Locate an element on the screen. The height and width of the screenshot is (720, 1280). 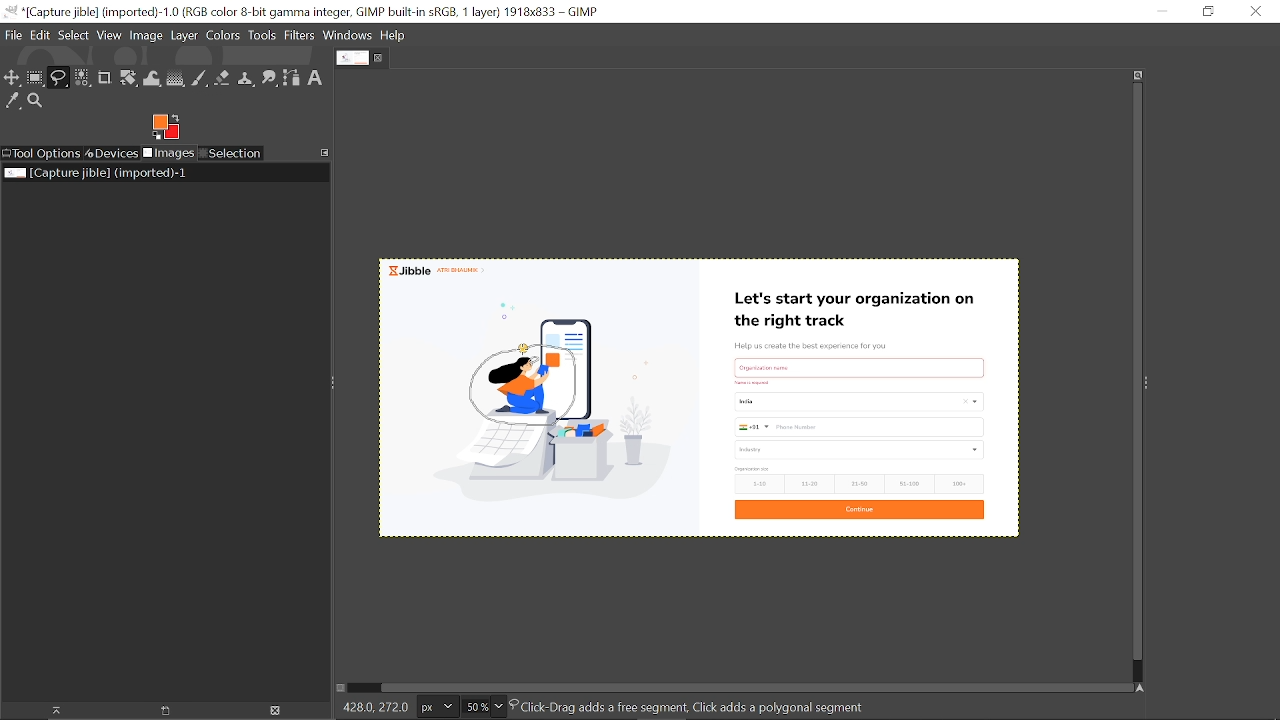
Devices is located at coordinates (112, 152).